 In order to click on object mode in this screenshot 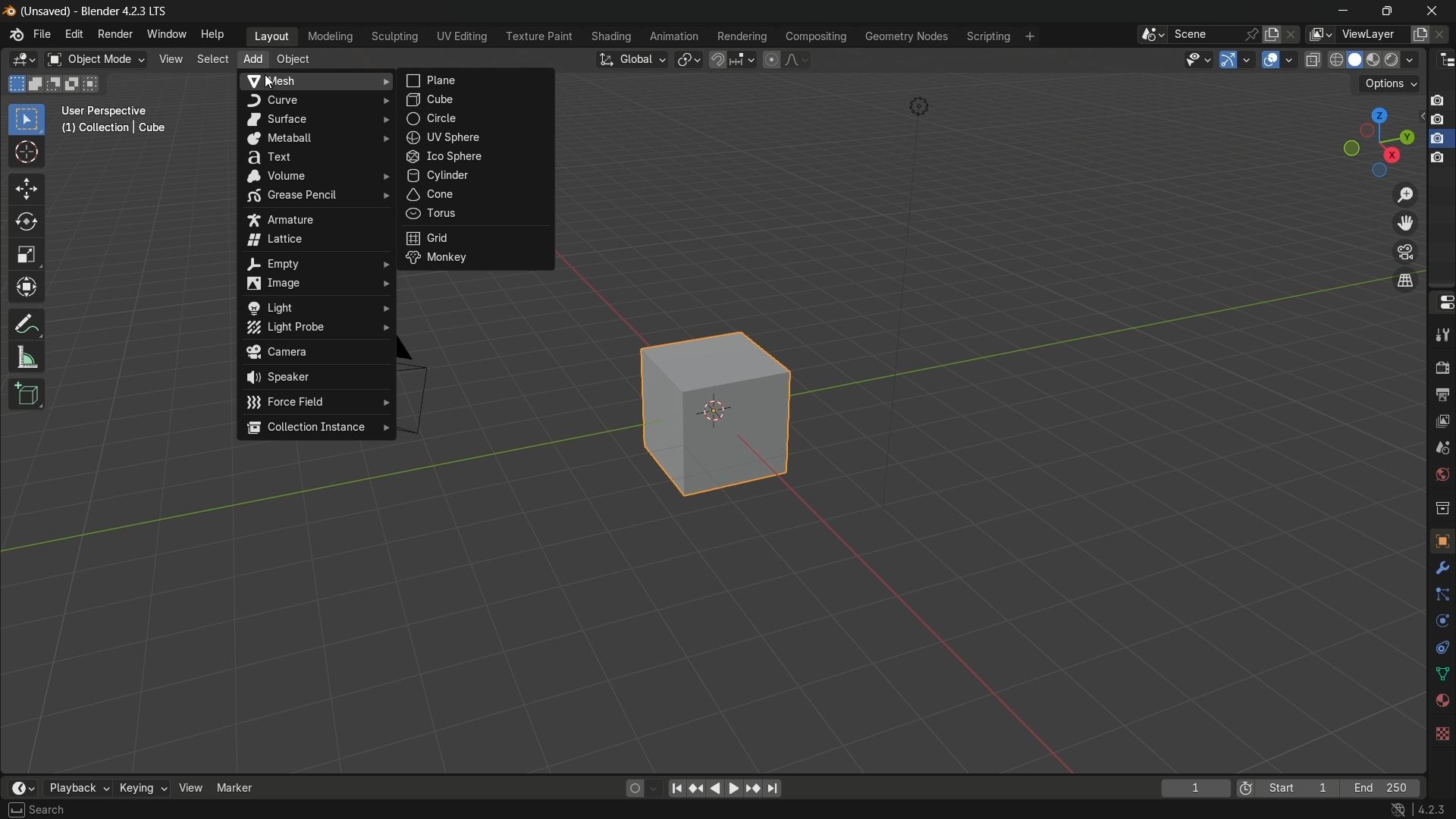, I will do `click(96, 60)`.